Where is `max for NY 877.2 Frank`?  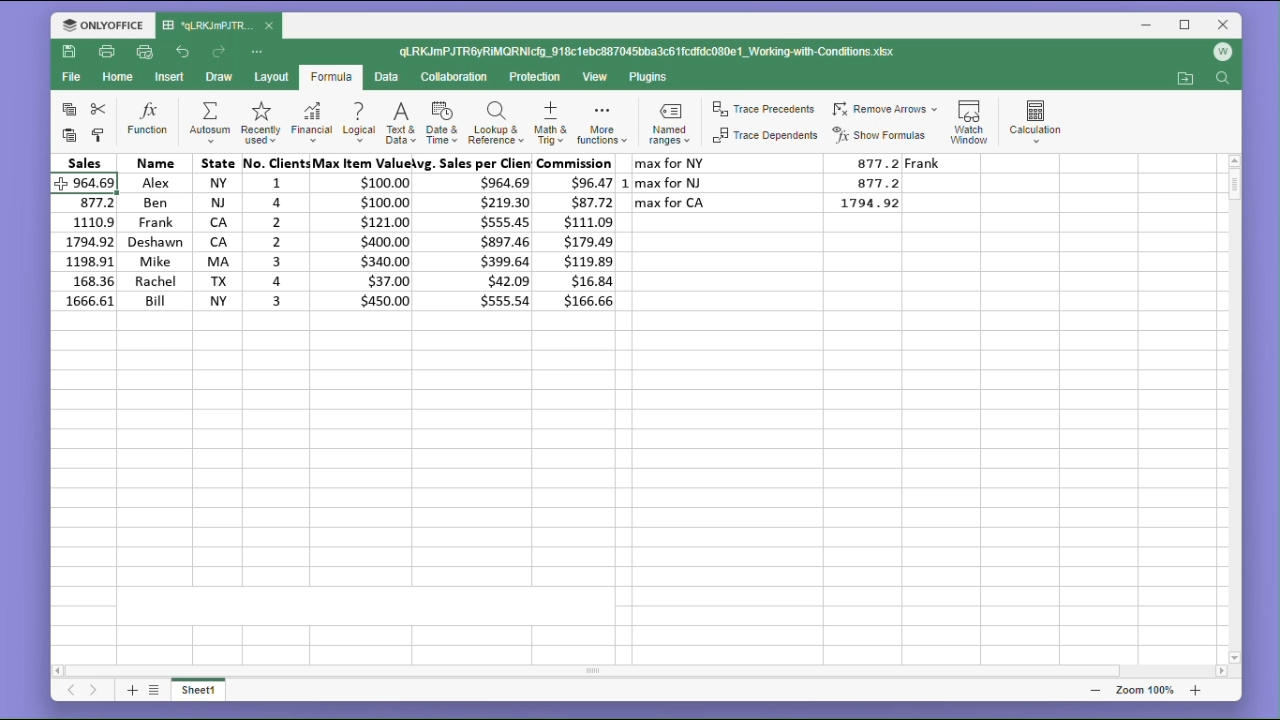 max for NY 877.2 Frank is located at coordinates (807, 163).